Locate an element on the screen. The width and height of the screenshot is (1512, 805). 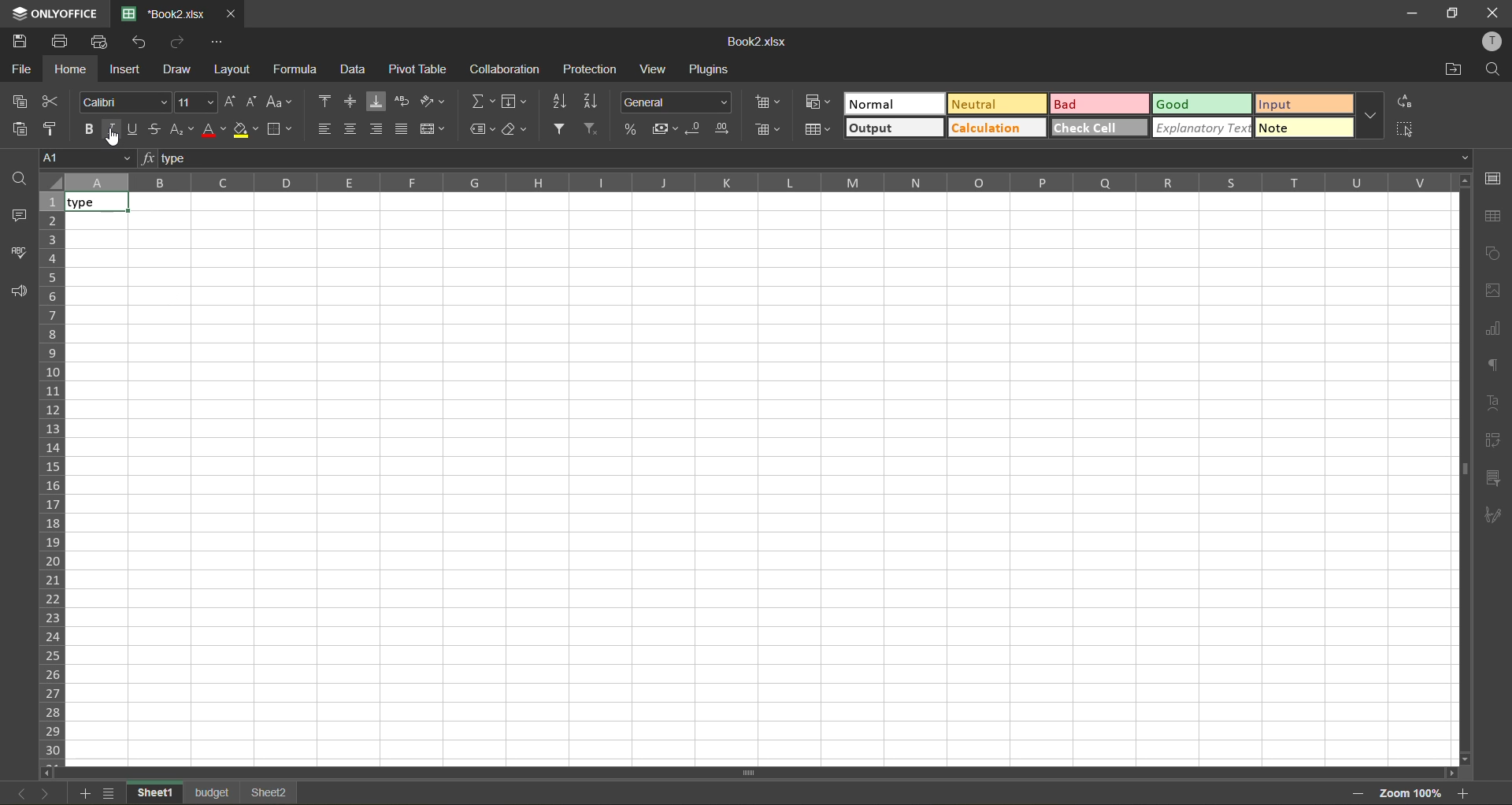
filter is located at coordinates (561, 127).